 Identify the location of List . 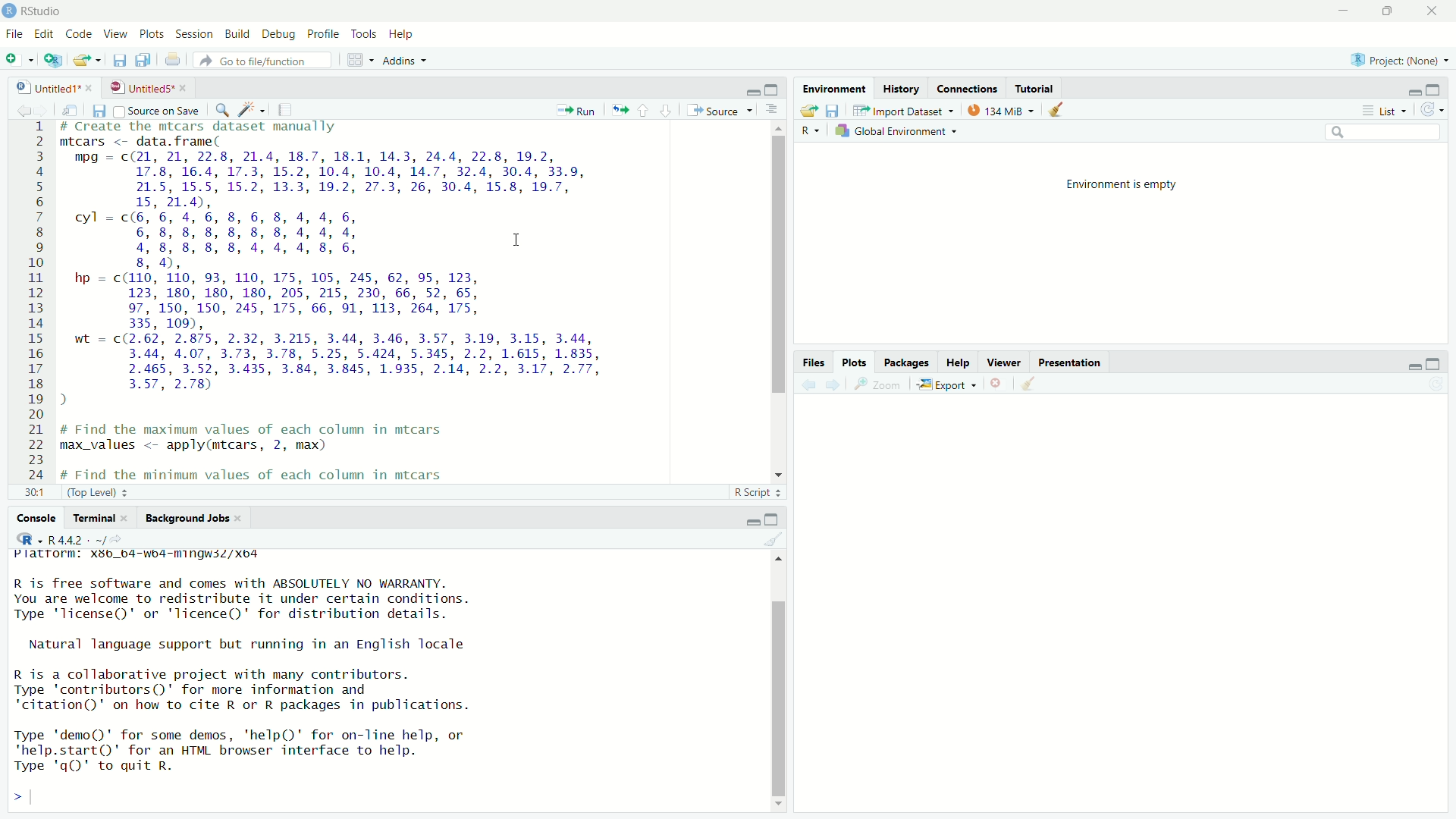
(1383, 109).